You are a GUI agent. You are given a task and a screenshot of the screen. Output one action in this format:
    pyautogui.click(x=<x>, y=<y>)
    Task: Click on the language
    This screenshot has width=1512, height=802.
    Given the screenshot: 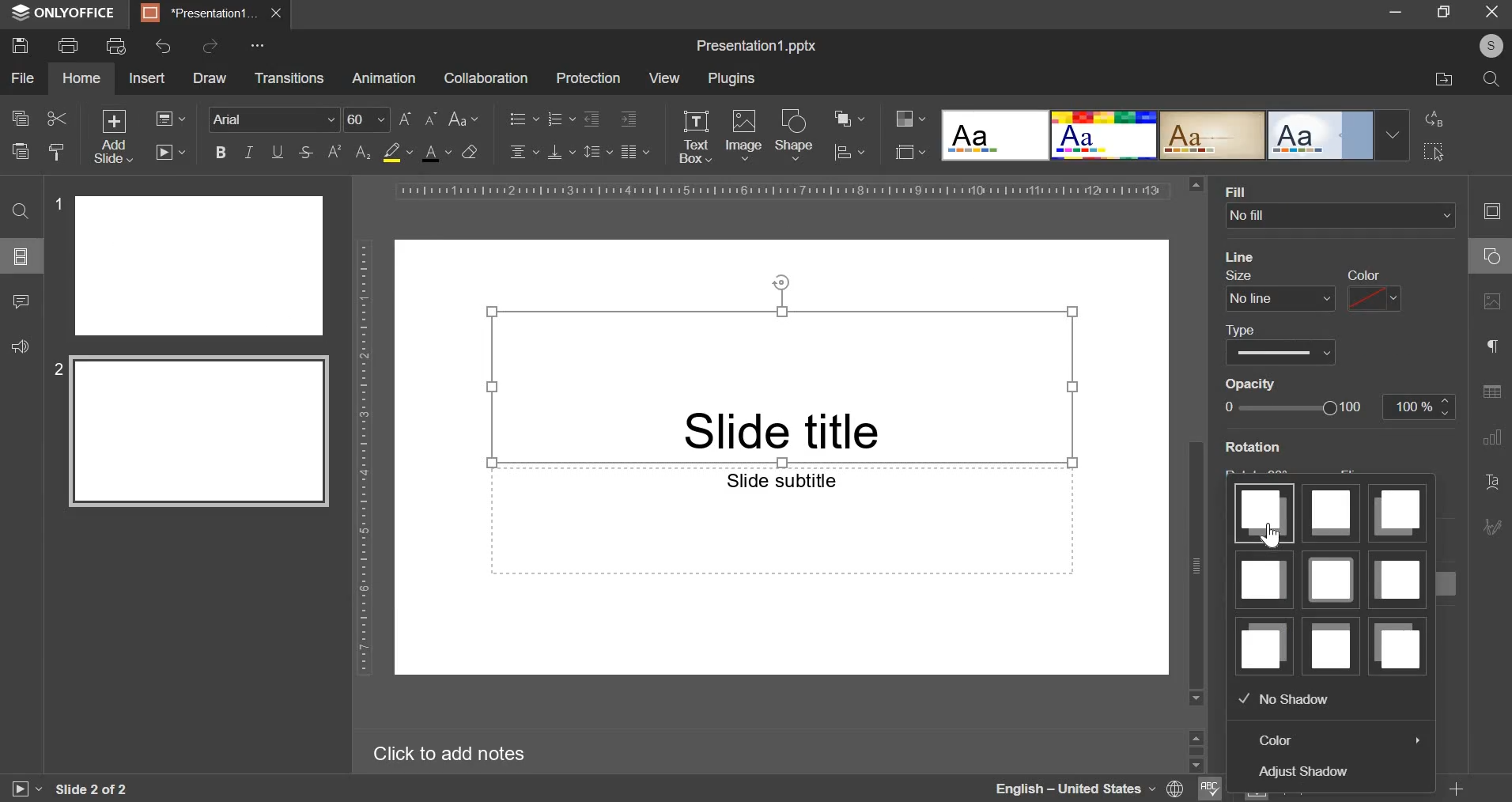 What is the action you would take?
    pyautogui.click(x=1074, y=789)
    